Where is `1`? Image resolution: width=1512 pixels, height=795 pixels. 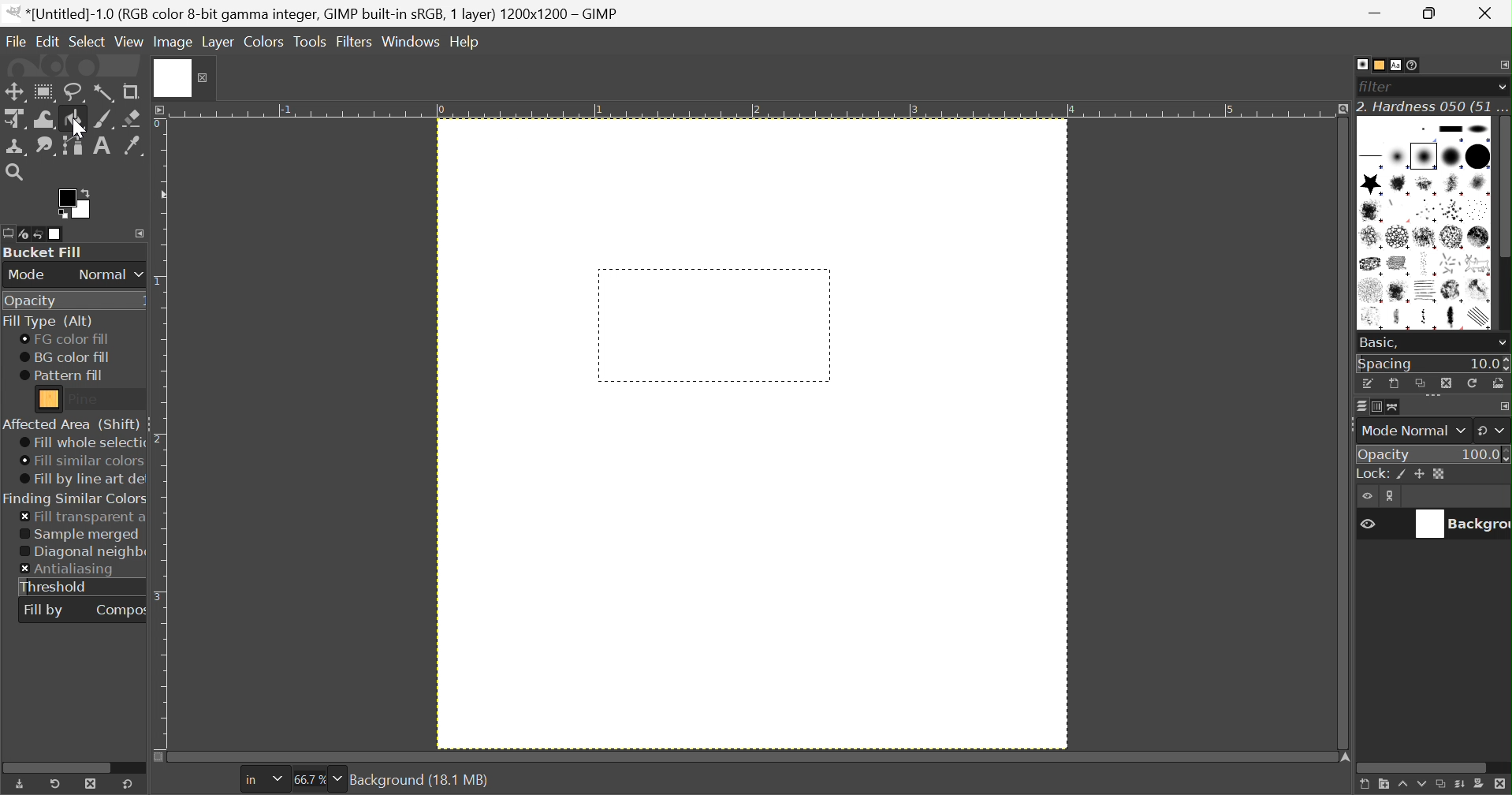 1 is located at coordinates (599, 110).